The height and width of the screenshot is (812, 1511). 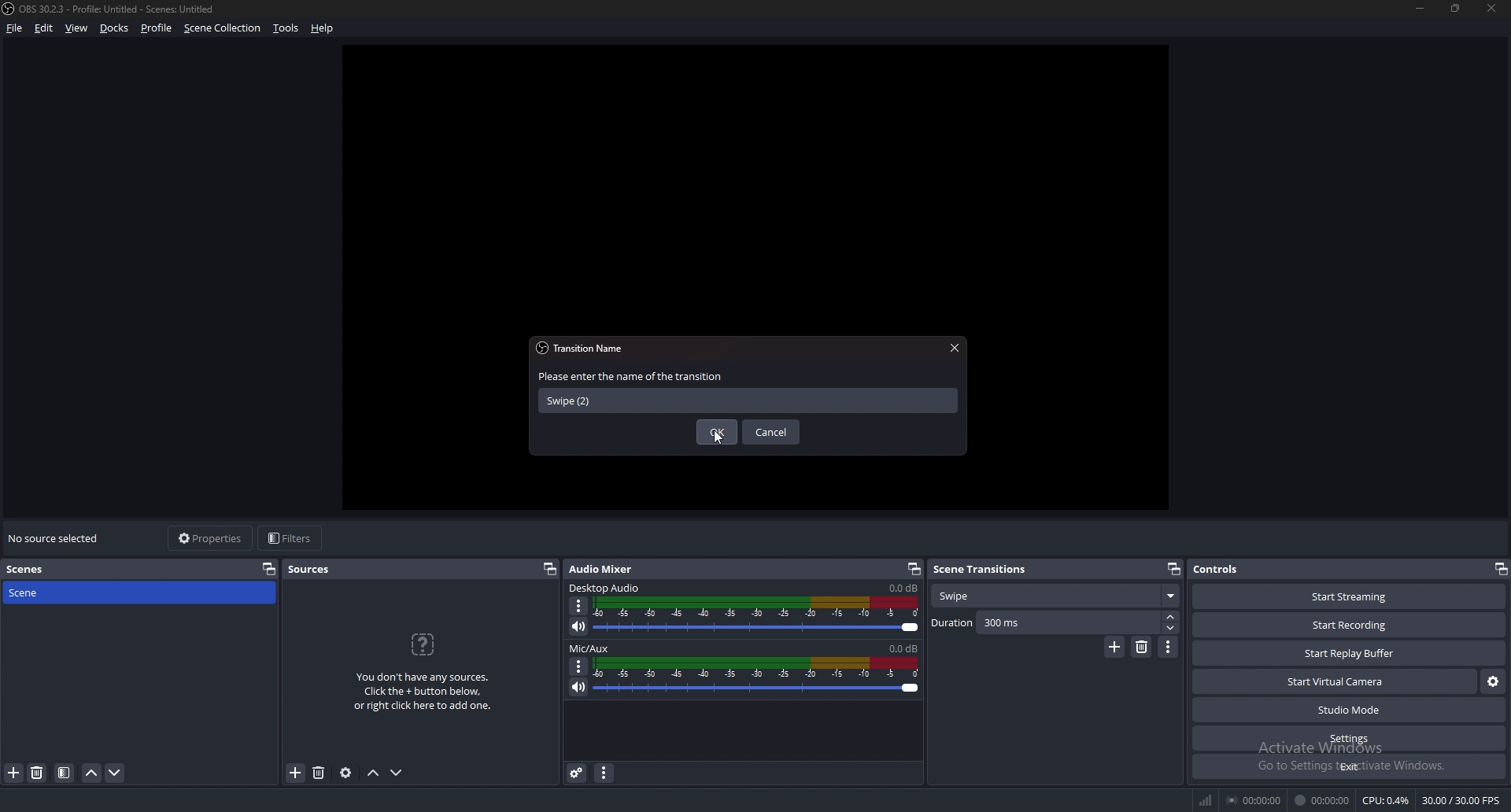 What do you see at coordinates (1493, 682) in the screenshot?
I see `configure virtual camera` at bounding box center [1493, 682].